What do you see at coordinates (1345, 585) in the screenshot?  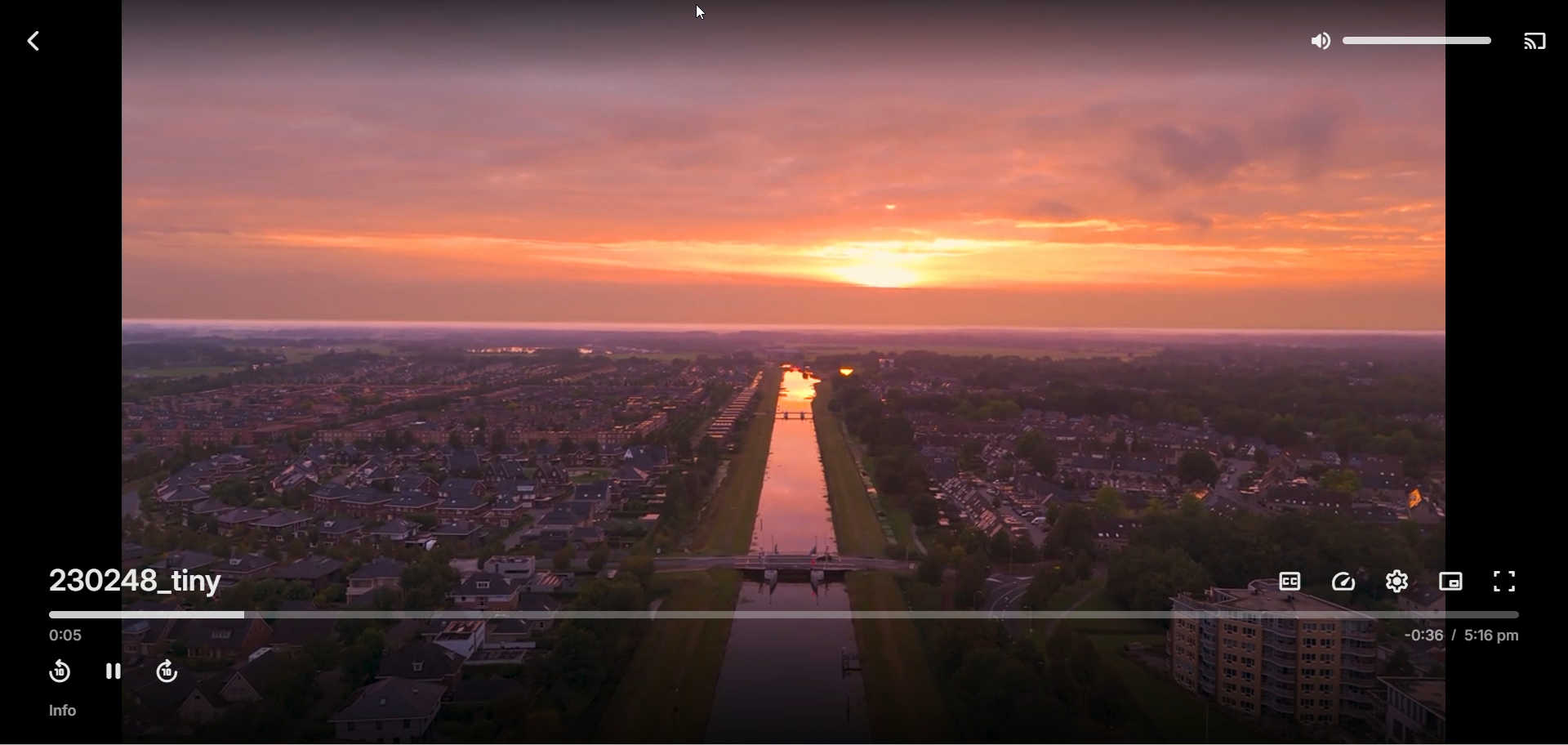 I see `playback speed` at bounding box center [1345, 585].